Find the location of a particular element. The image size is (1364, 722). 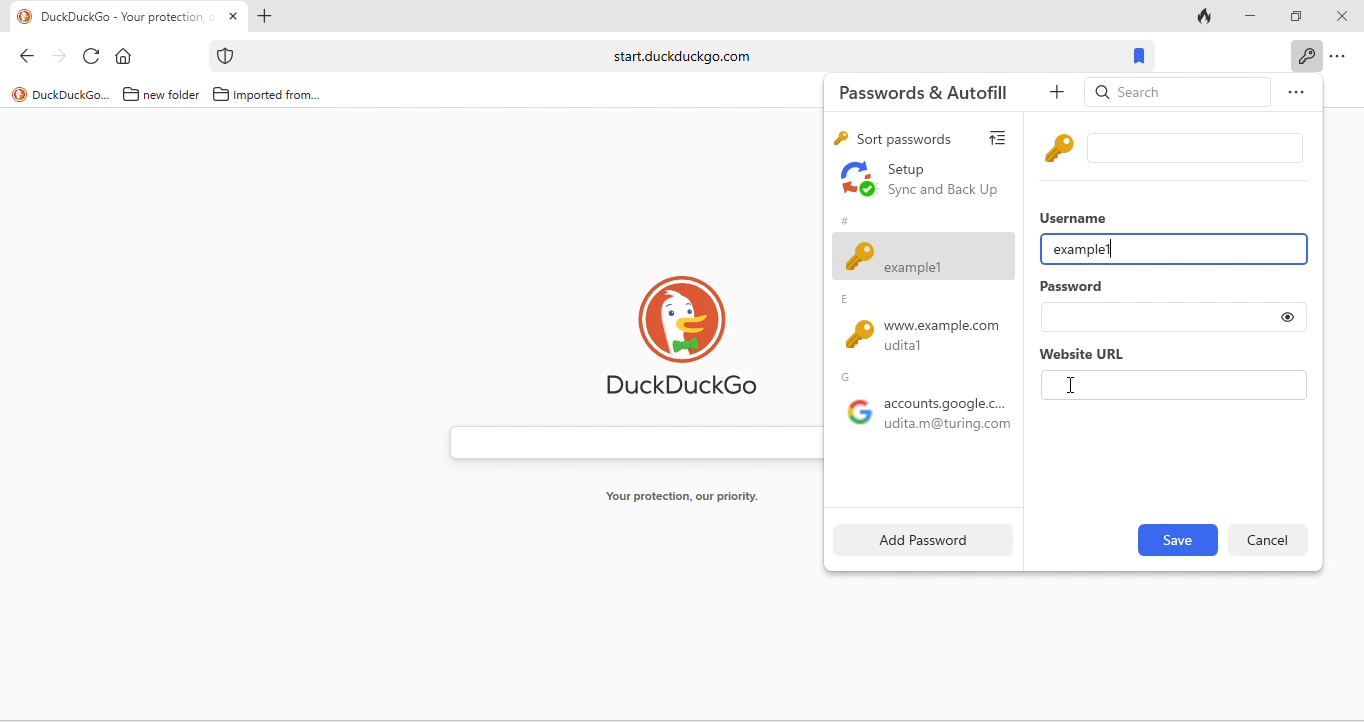

key icon is located at coordinates (1058, 150).